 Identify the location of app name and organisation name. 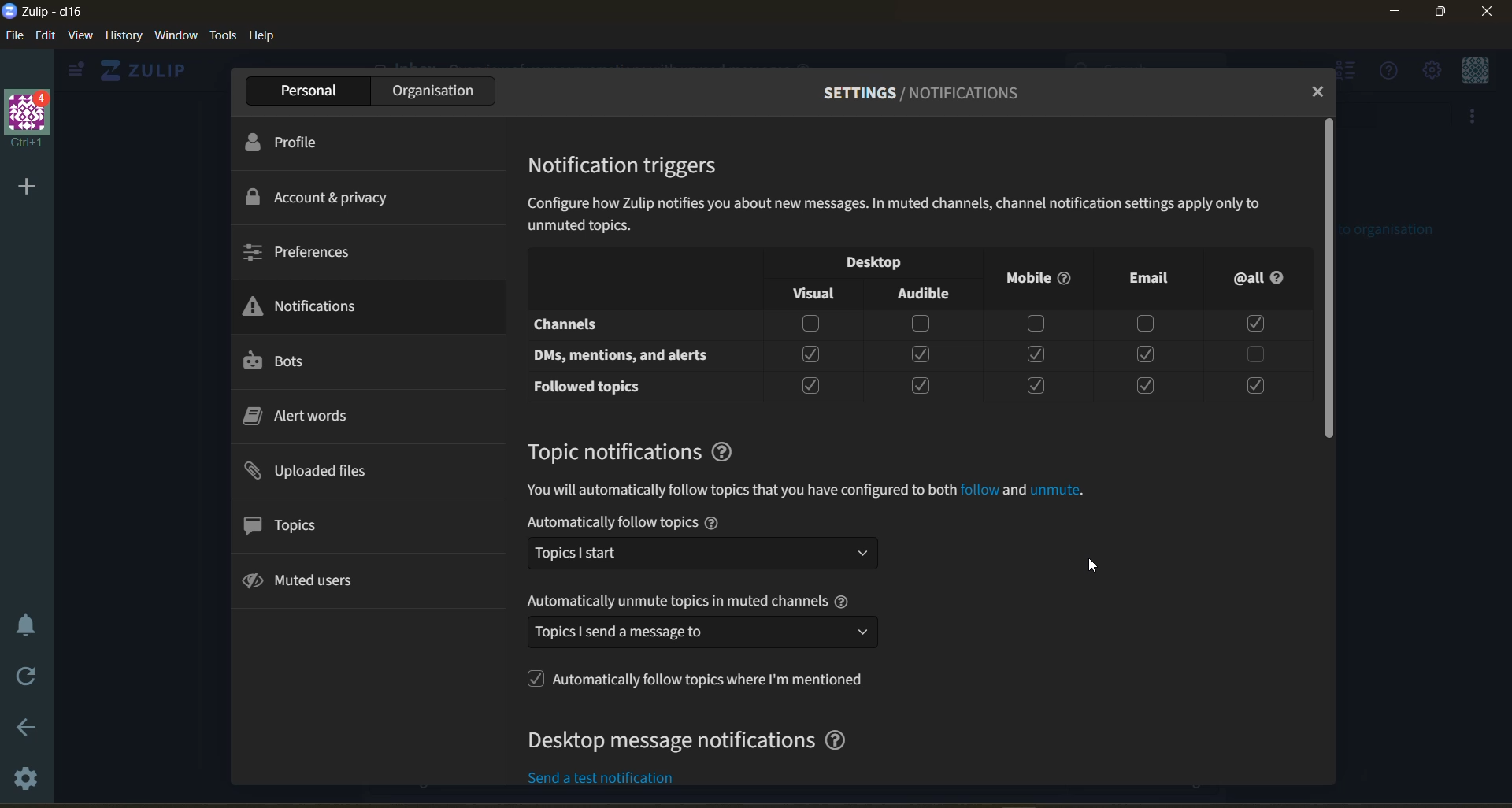
(58, 11).